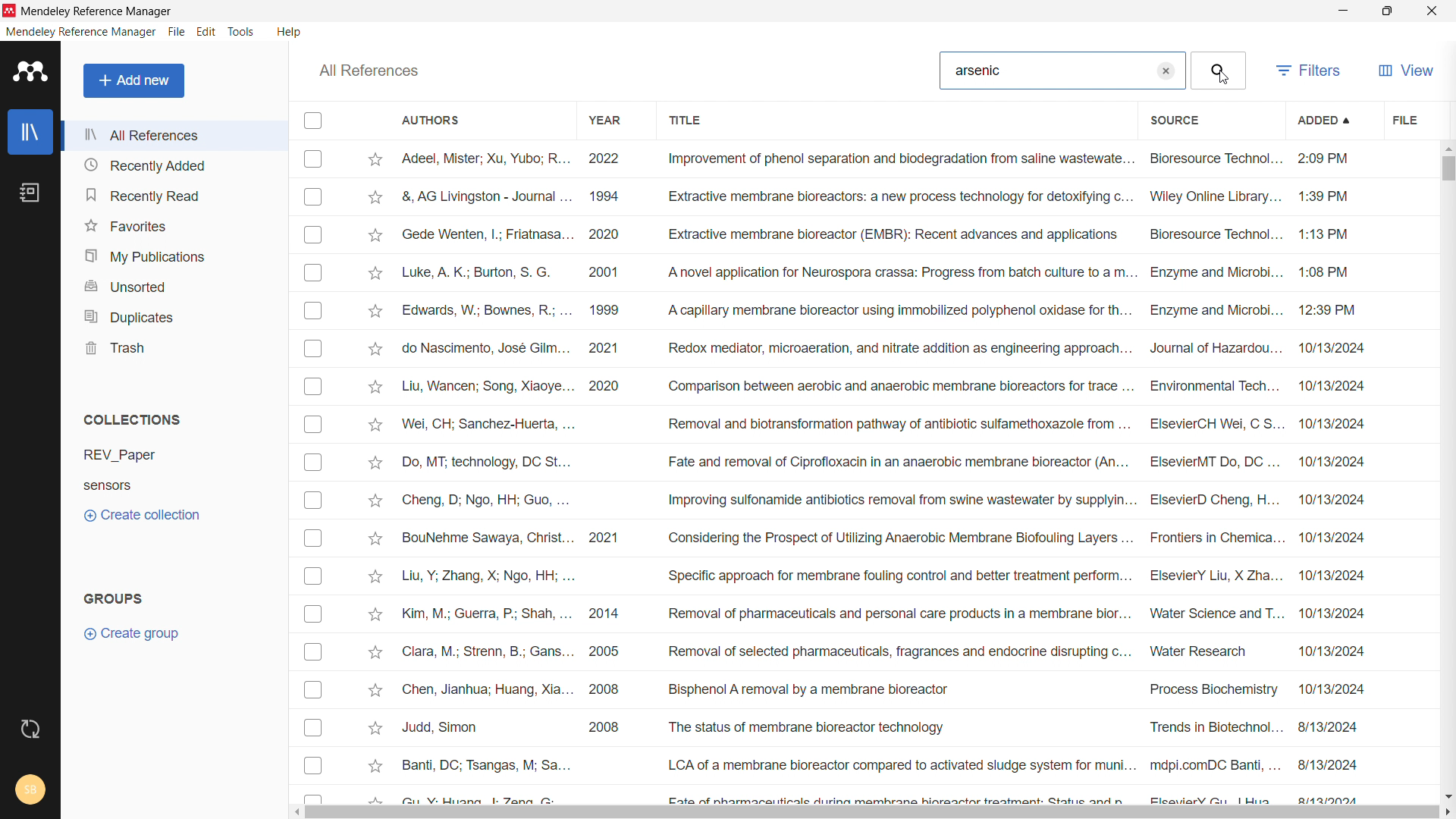 The width and height of the screenshot is (1456, 819). What do you see at coordinates (883, 536) in the screenshot?
I see `BouNehme Sawaya, Christ... 2021 Considering the Prospect of Utilizing Anaerobic Membrane Biofouling Layers ... Frontiers in Chemica... 10/13/2024` at bounding box center [883, 536].